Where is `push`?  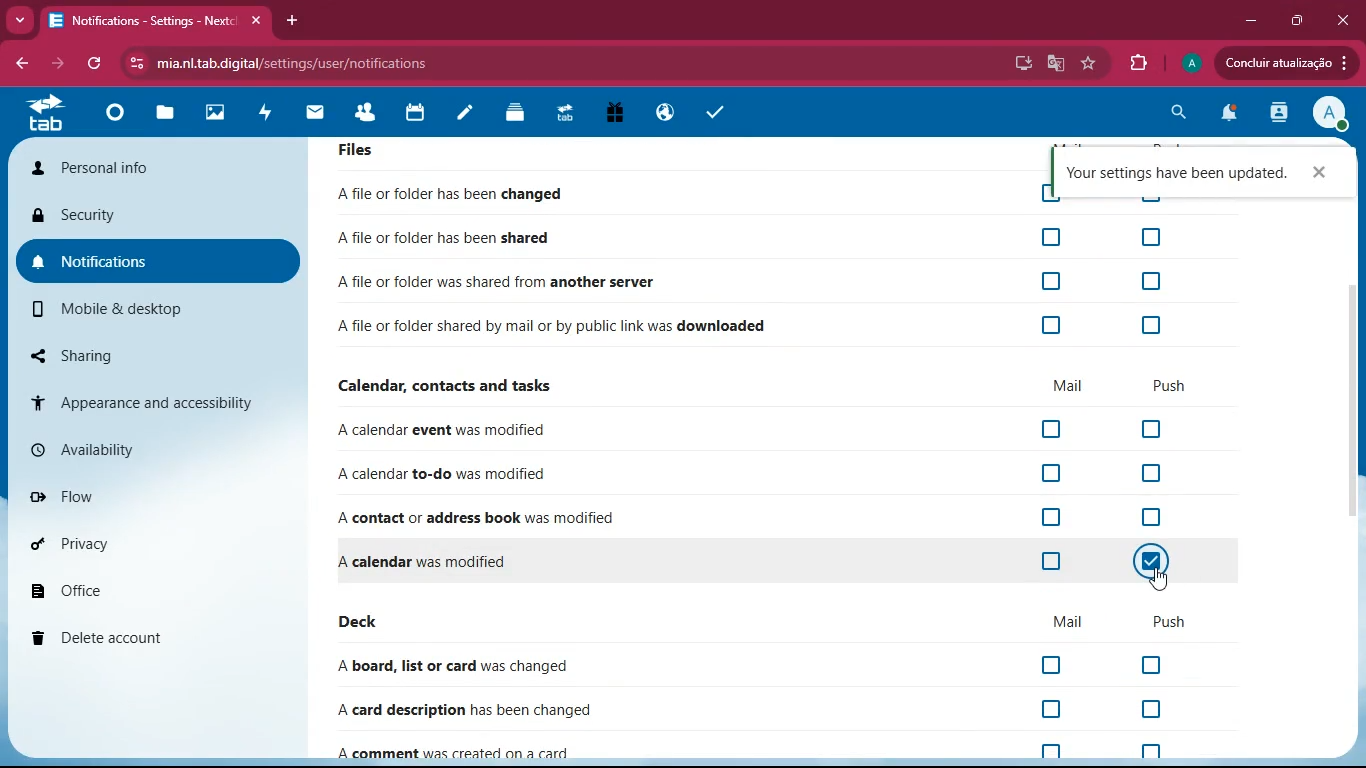
push is located at coordinates (1166, 622).